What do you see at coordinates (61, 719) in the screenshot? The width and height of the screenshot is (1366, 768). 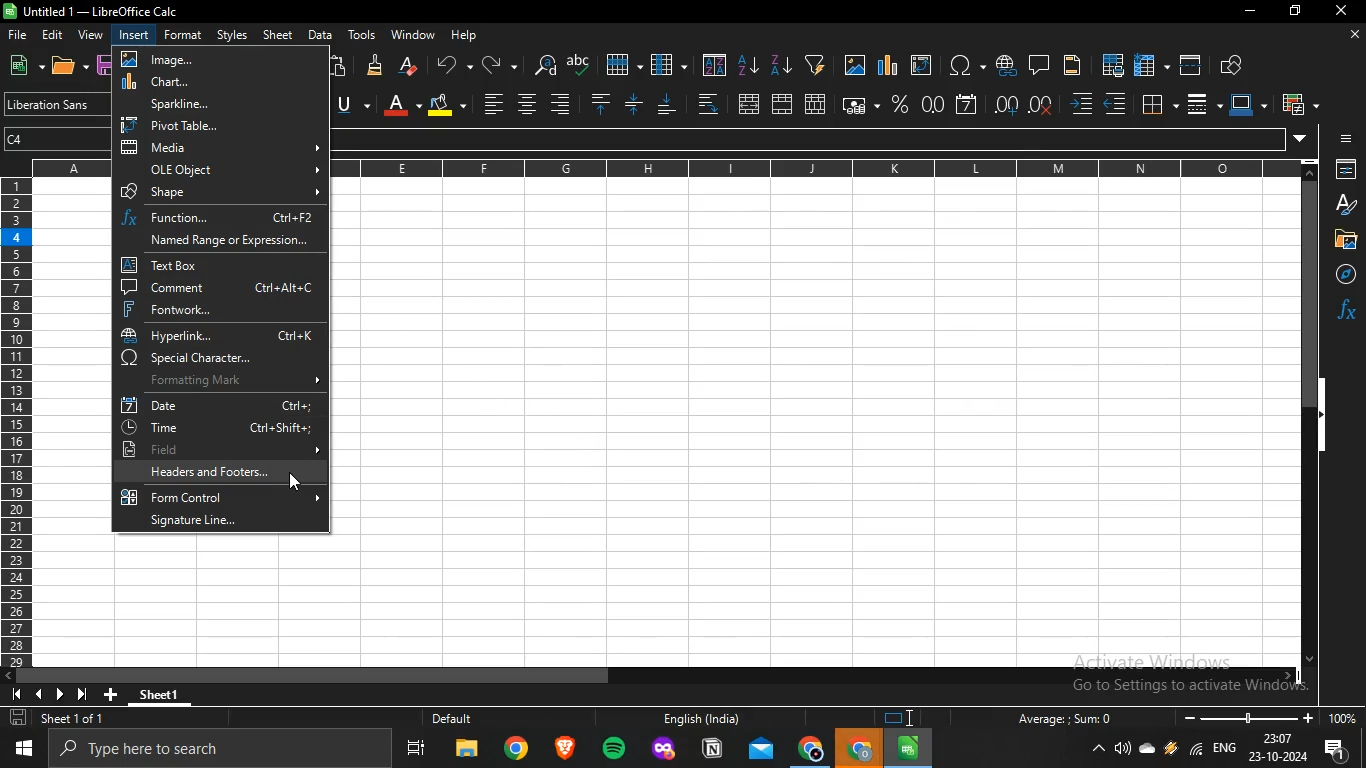 I see `sheet 1 of 1` at bounding box center [61, 719].